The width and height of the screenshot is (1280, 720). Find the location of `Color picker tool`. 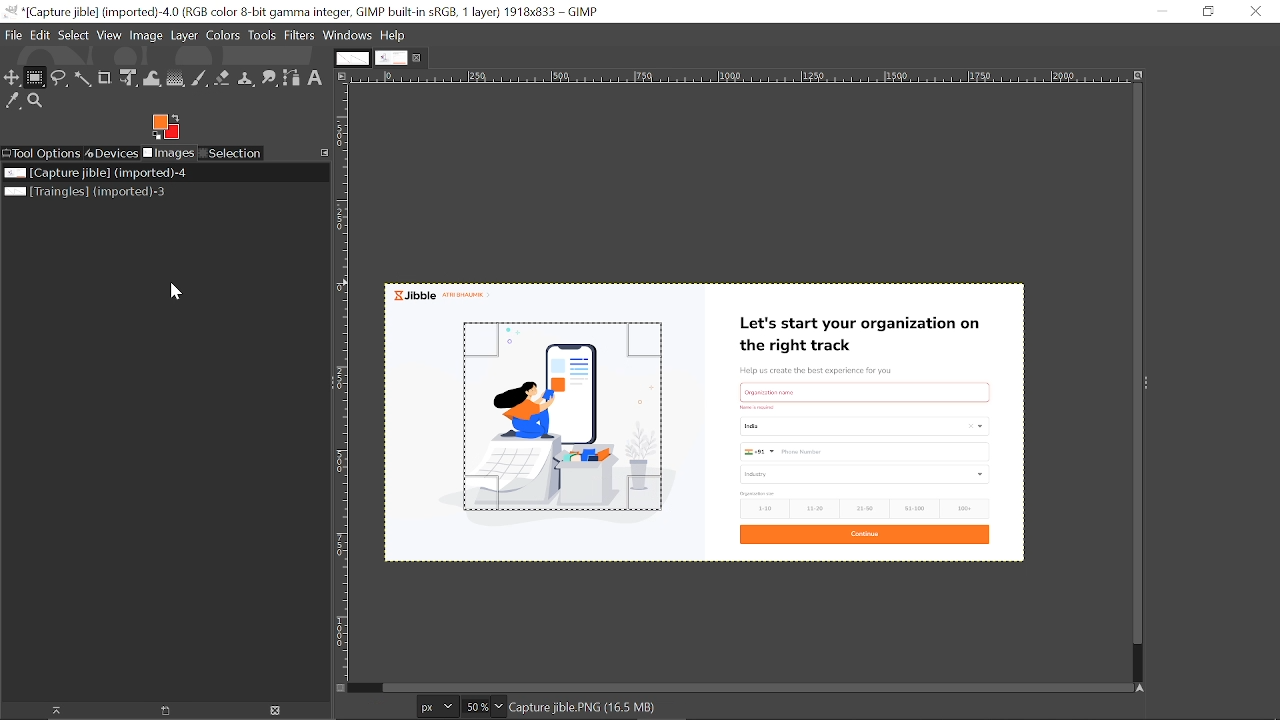

Color picker tool is located at coordinates (11, 104).